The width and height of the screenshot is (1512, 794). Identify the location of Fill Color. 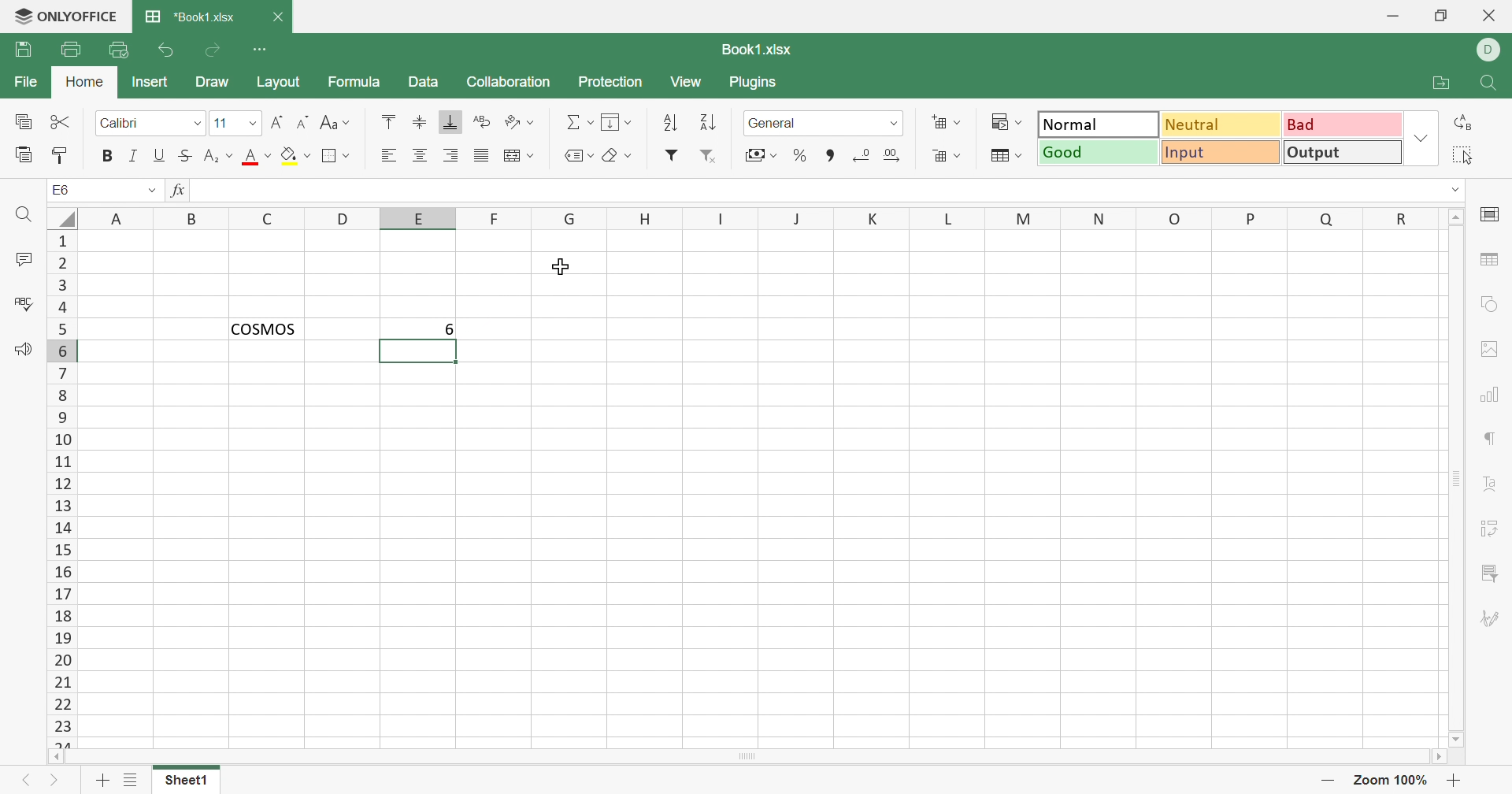
(295, 157).